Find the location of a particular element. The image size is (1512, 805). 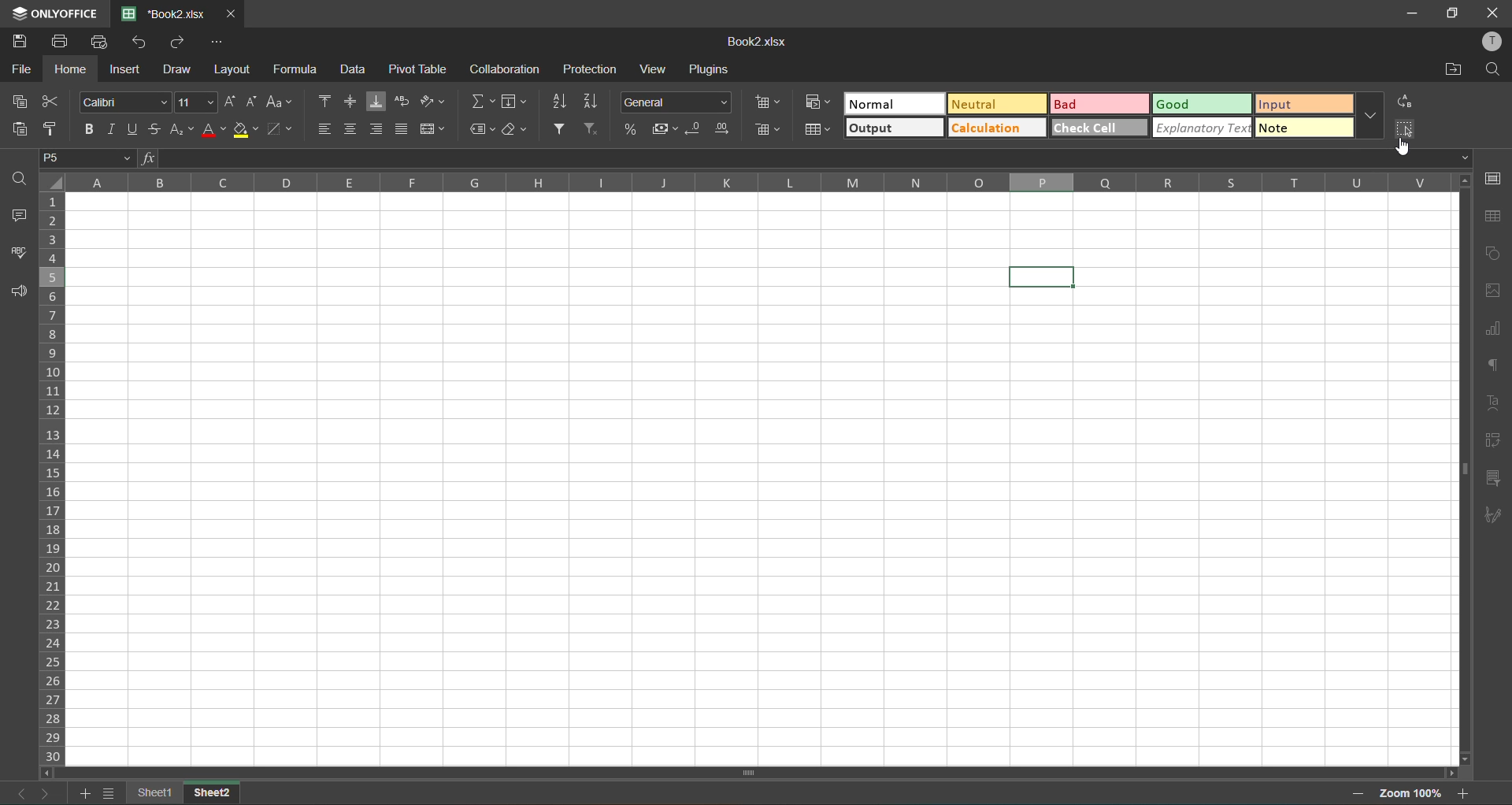

good is located at coordinates (1200, 103).